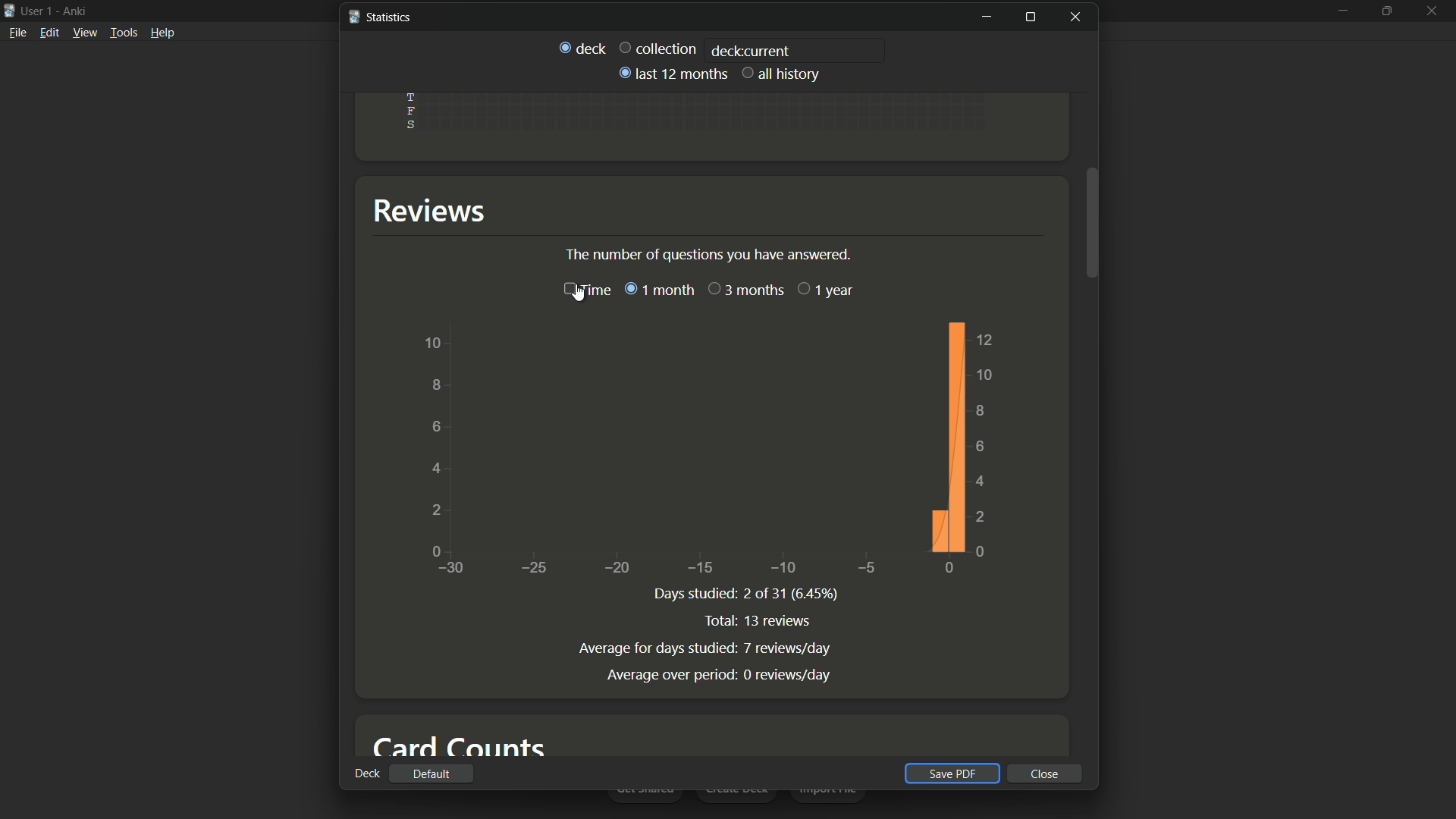  I want to click on view menu, so click(85, 33).